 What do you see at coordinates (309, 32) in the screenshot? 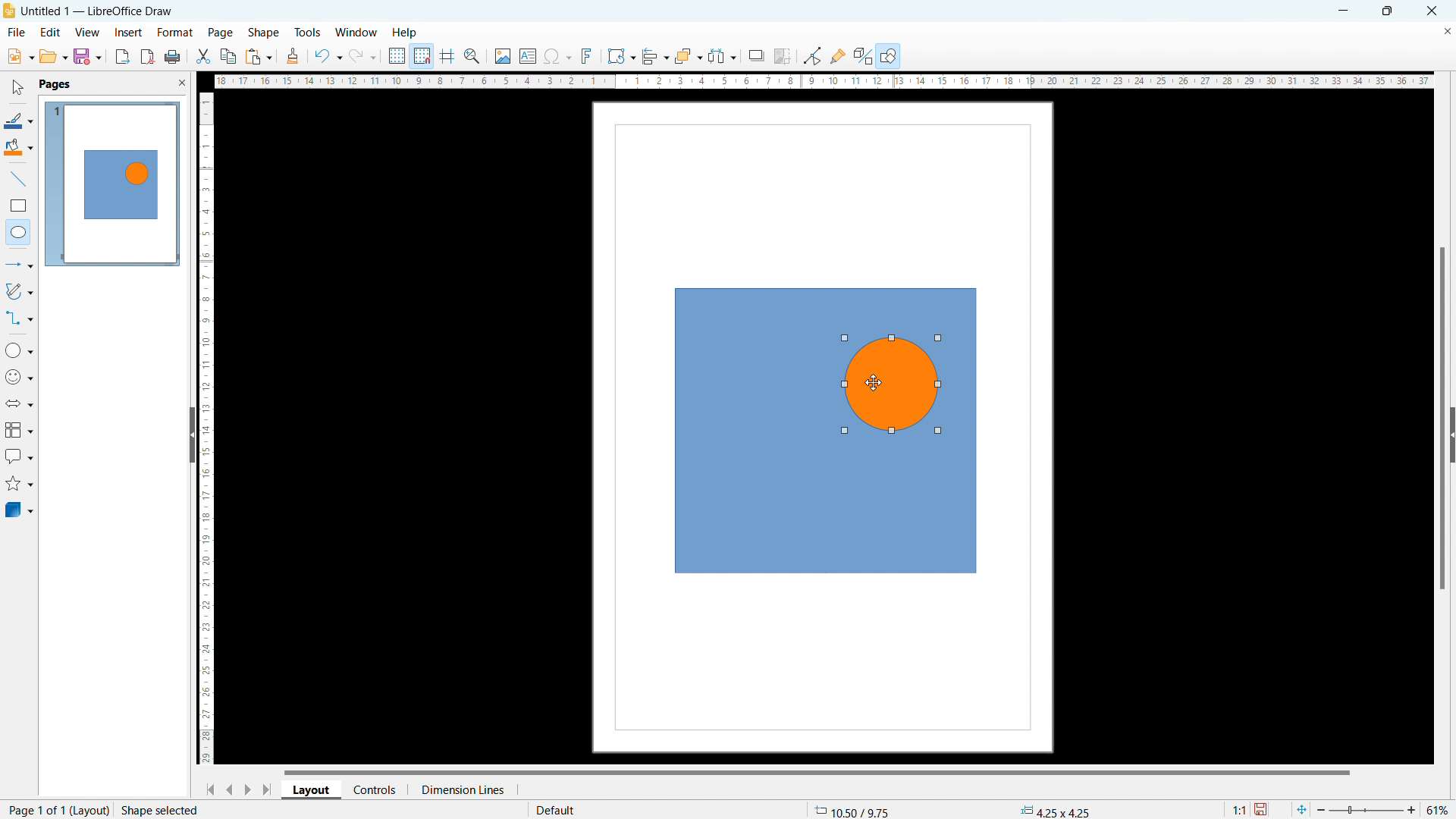
I see `tools` at bounding box center [309, 32].